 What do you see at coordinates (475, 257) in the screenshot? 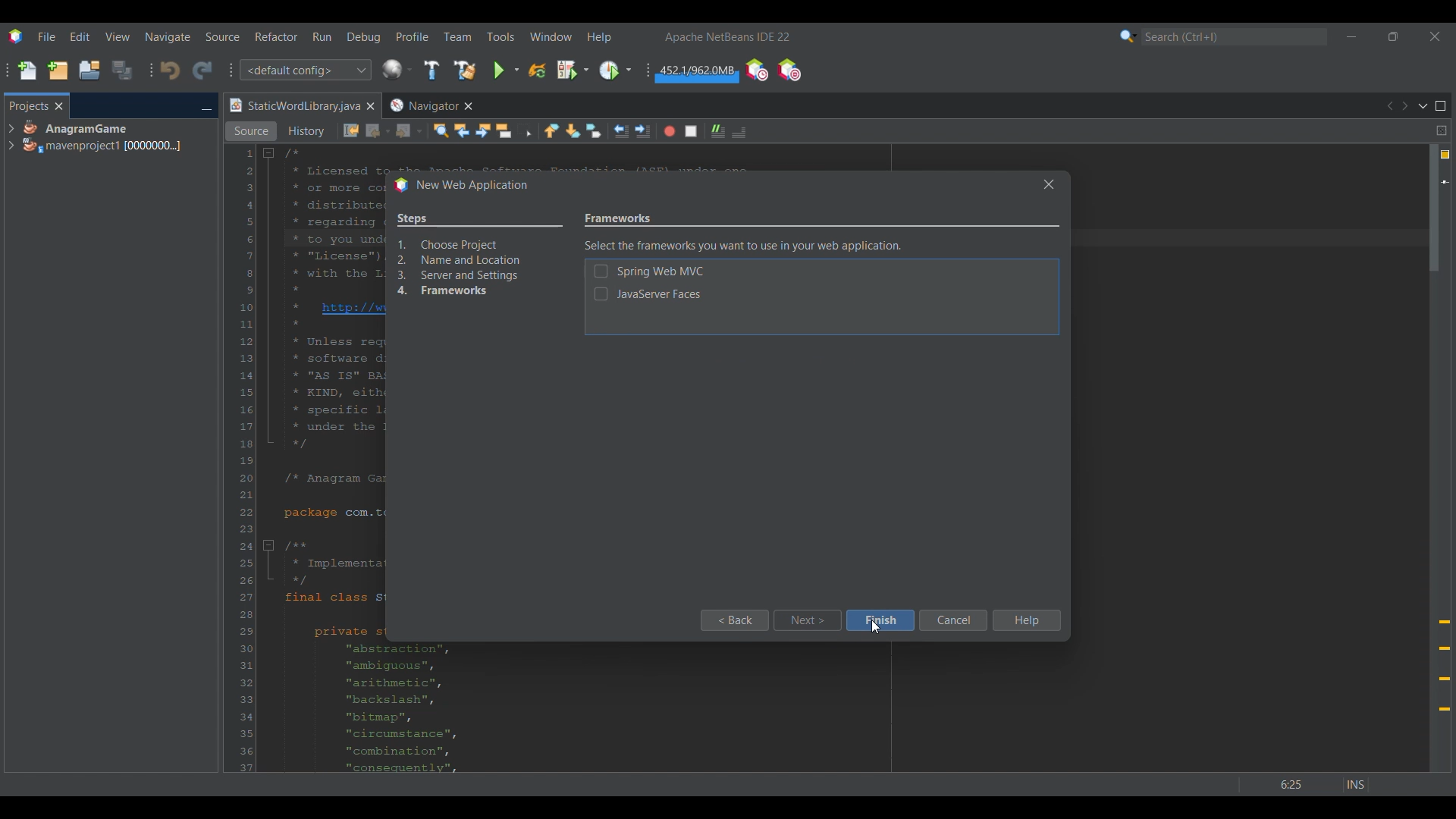
I see `Overview of process changed` at bounding box center [475, 257].